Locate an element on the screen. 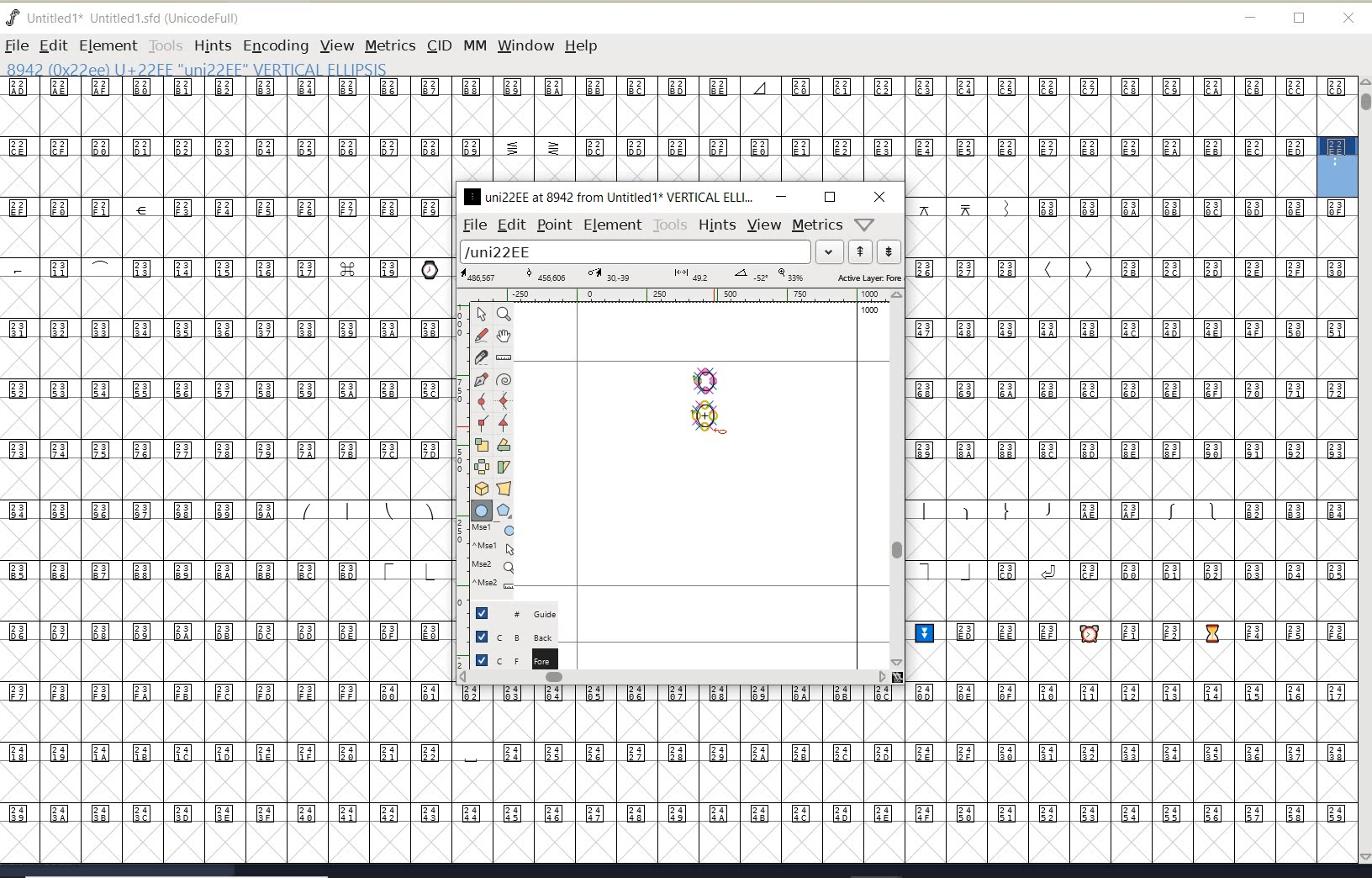 This screenshot has height=878, width=1372. scale the selection is located at coordinates (482, 445).